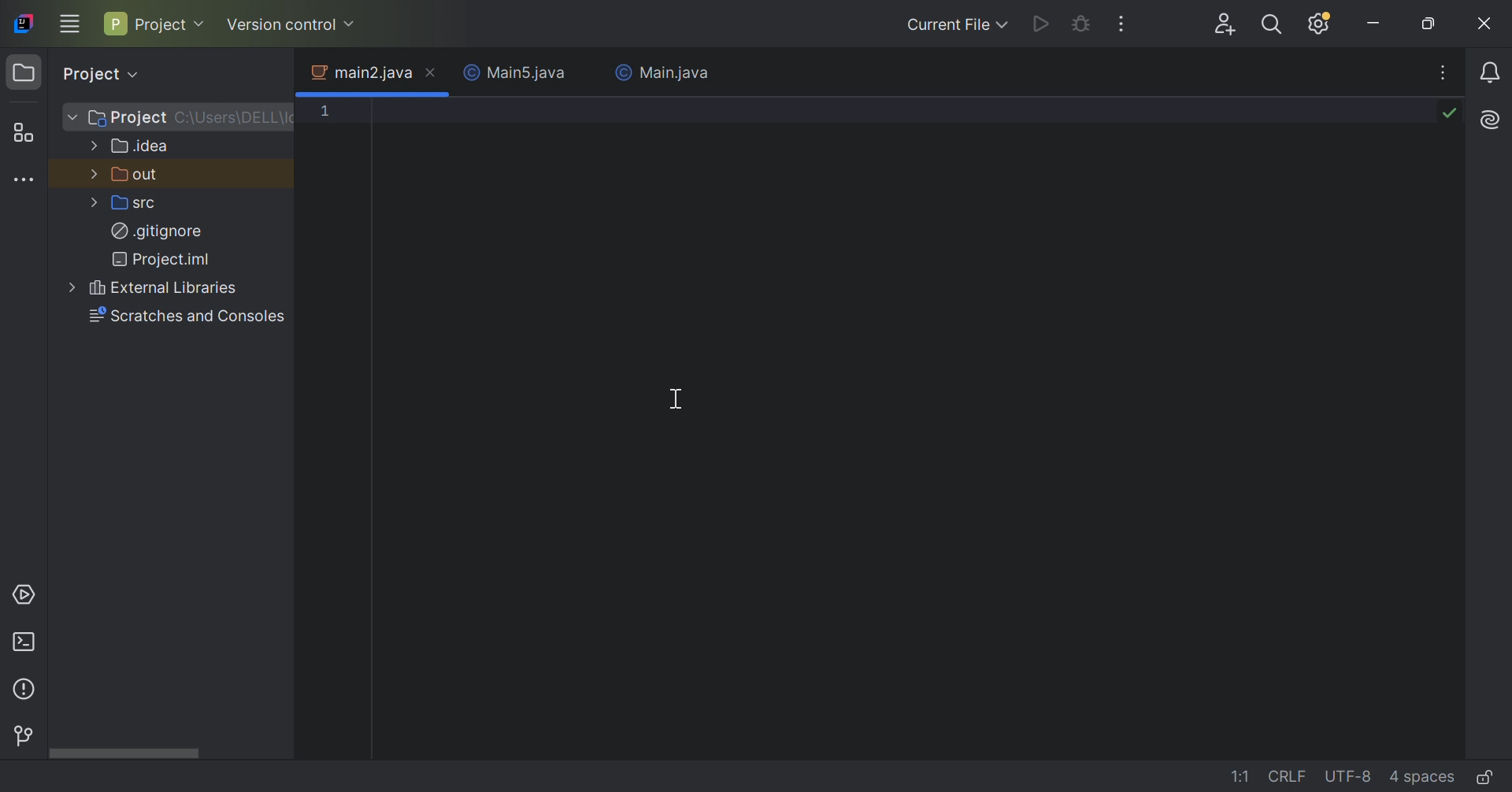 This screenshot has height=792, width=1512. Describe the element at coordinates (1242, 775) in the screenshot. I see `1:1` at that location.